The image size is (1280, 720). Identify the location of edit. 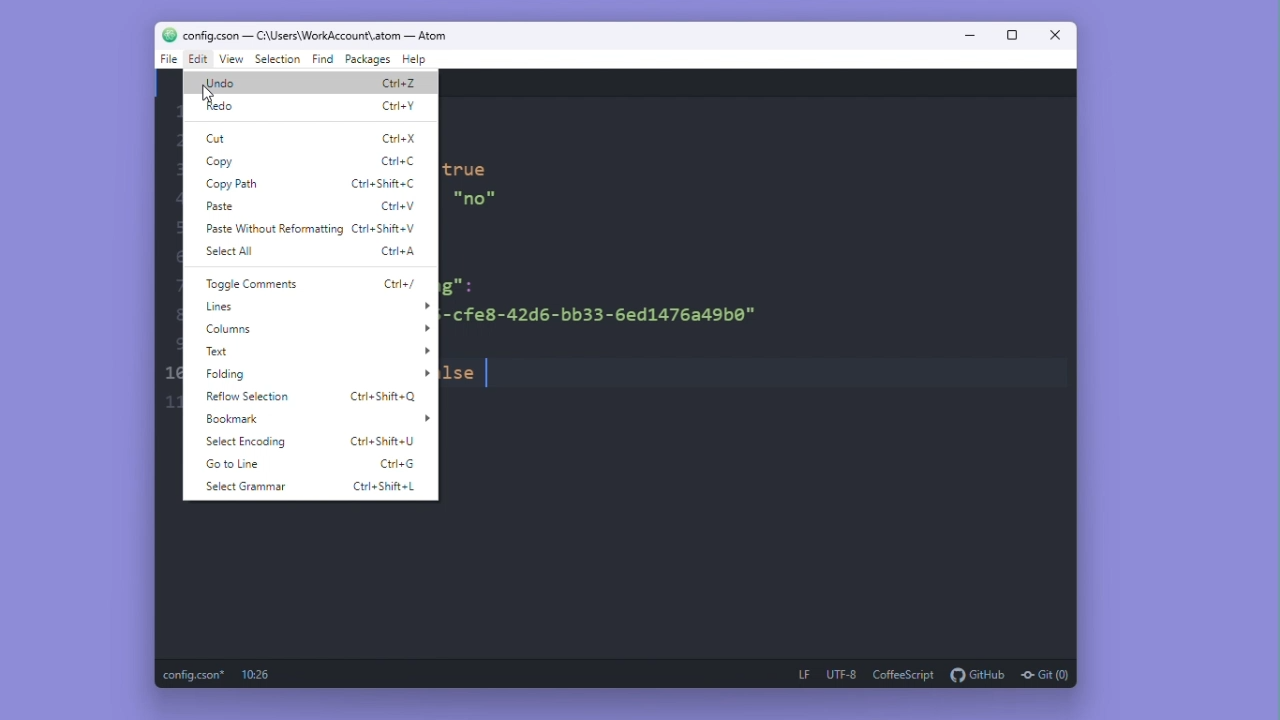
(199, 60).